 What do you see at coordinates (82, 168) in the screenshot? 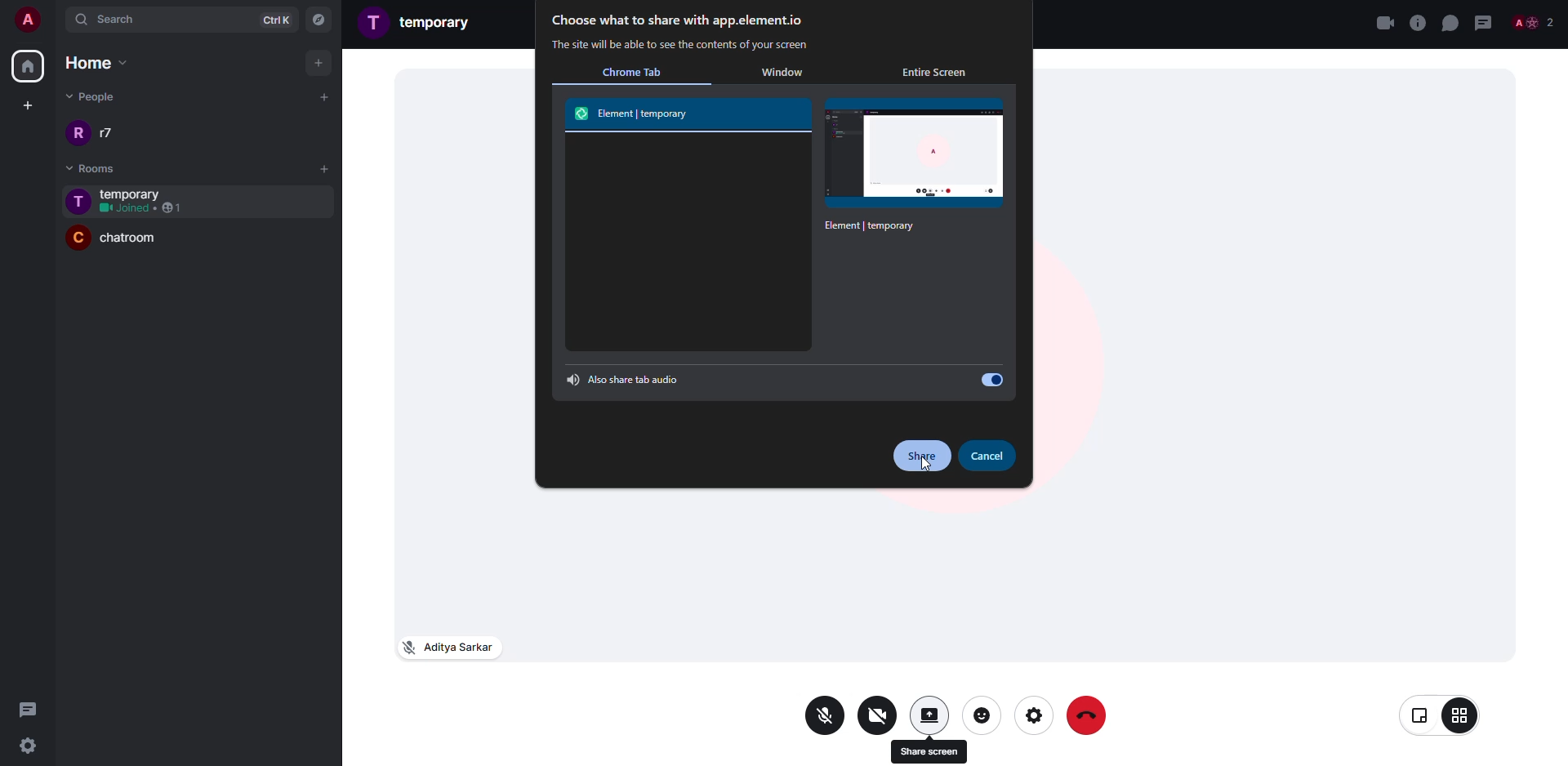
I see `rooms` at bounding box center [82, 168].